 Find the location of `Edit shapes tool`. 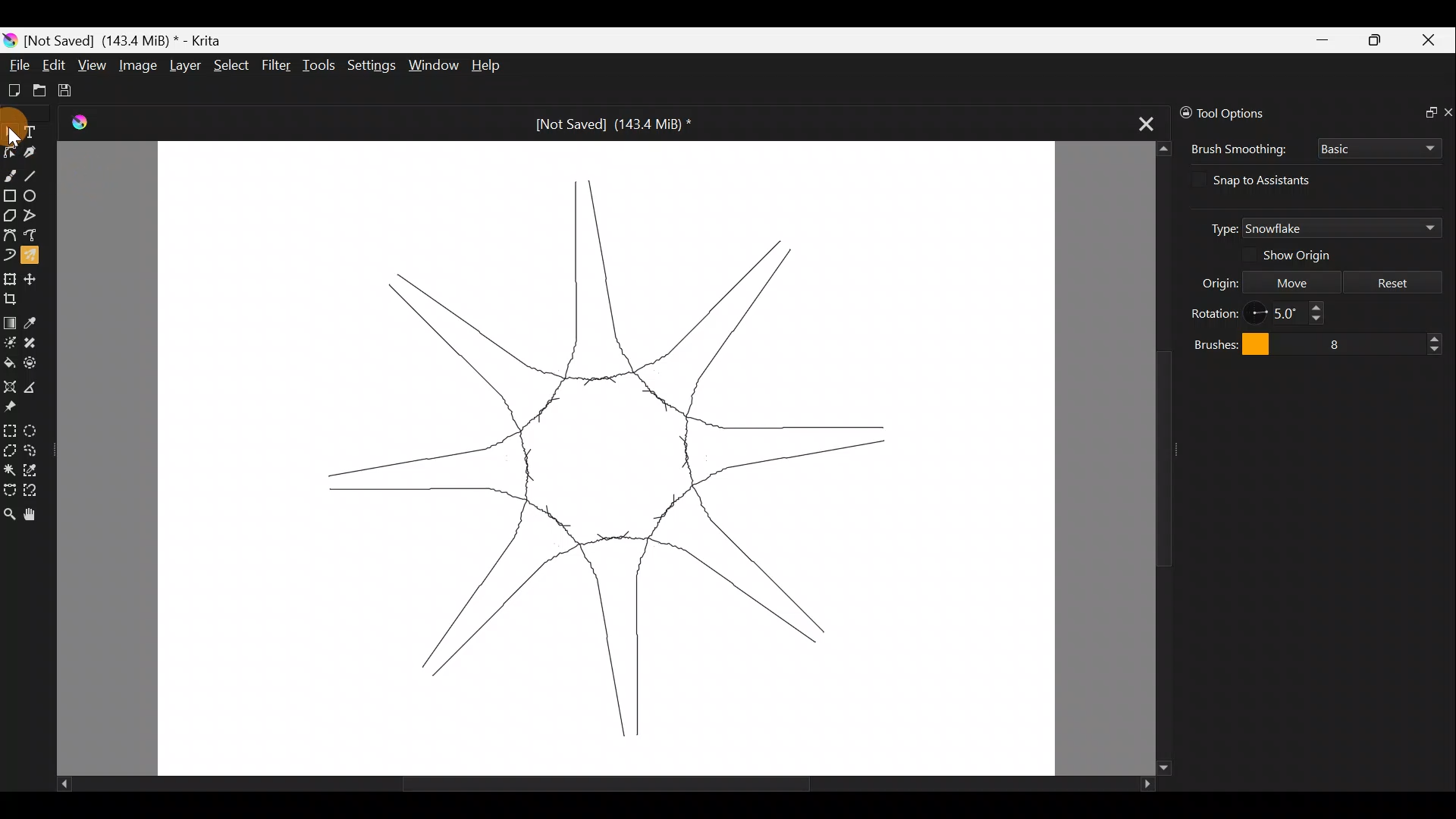

Edit shapes tool is located at coordinates (9, 152).